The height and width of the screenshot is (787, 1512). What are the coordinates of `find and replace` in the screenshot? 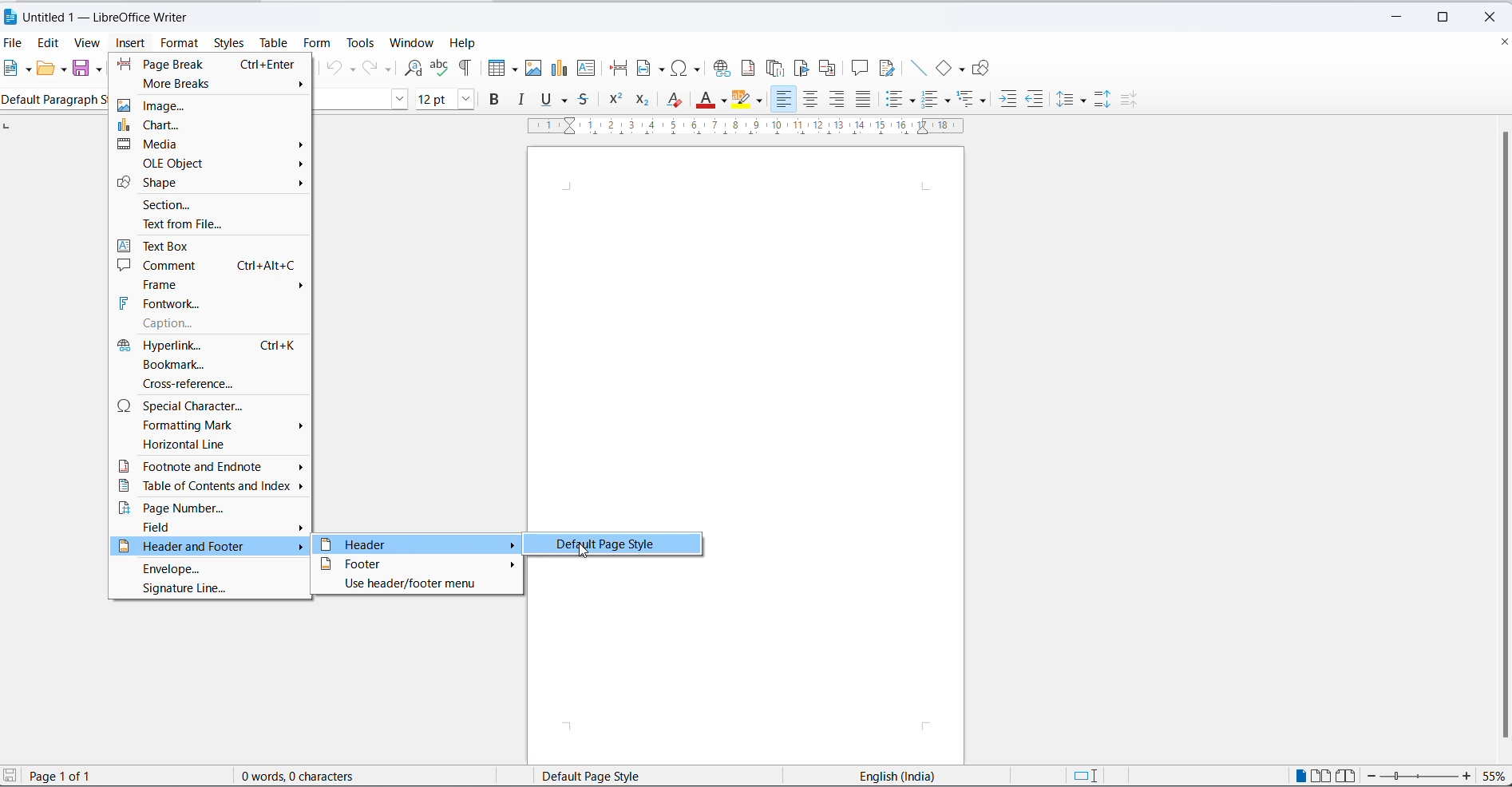 It's located at (414, 66).